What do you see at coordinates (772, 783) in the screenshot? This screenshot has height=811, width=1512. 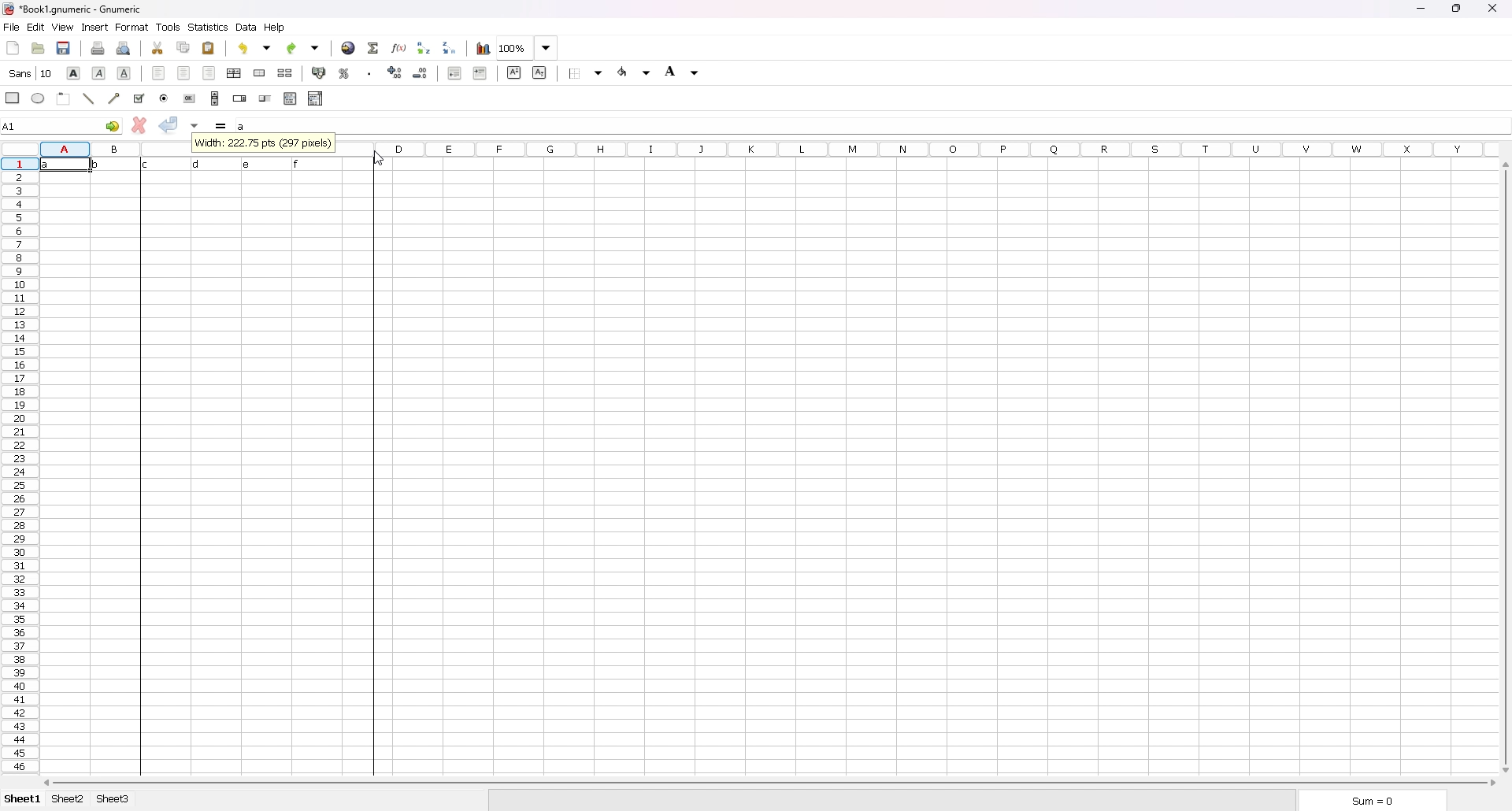 I see `scroll bar` at bounding box center [772, 783].